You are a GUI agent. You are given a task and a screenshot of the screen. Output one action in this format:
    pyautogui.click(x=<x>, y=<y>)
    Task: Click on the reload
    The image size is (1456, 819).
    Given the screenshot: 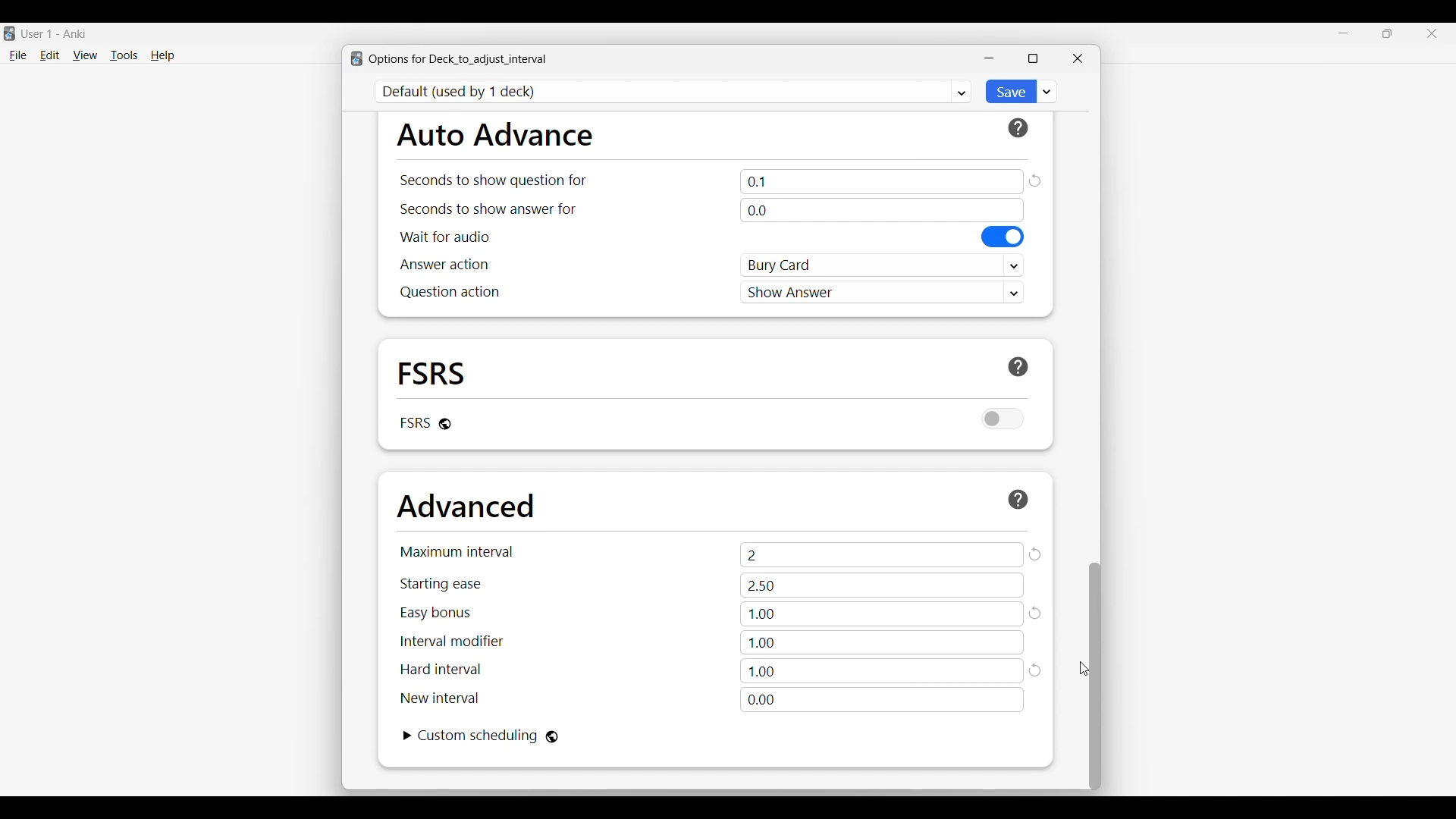 What is the action you would take?
    pyautogui.click(x=1037, y=613)
    